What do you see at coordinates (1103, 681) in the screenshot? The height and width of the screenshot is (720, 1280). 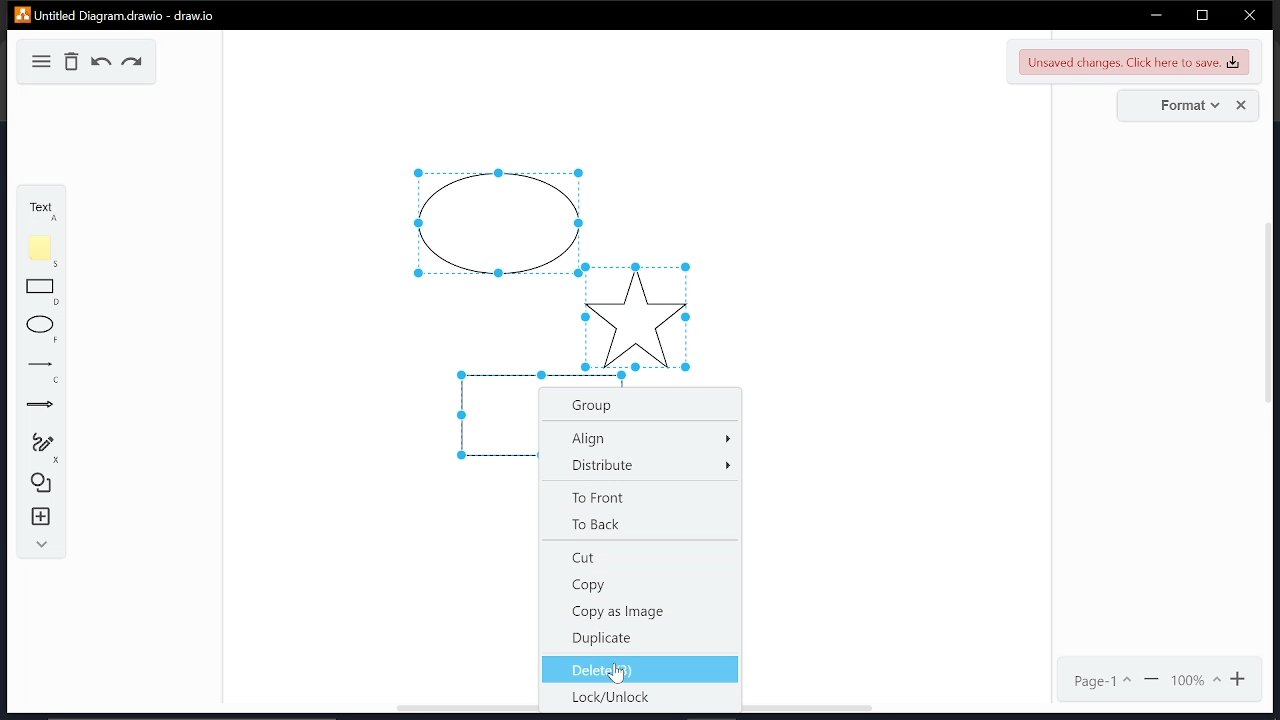 I see `page1` at bounding box center [1103, 681].